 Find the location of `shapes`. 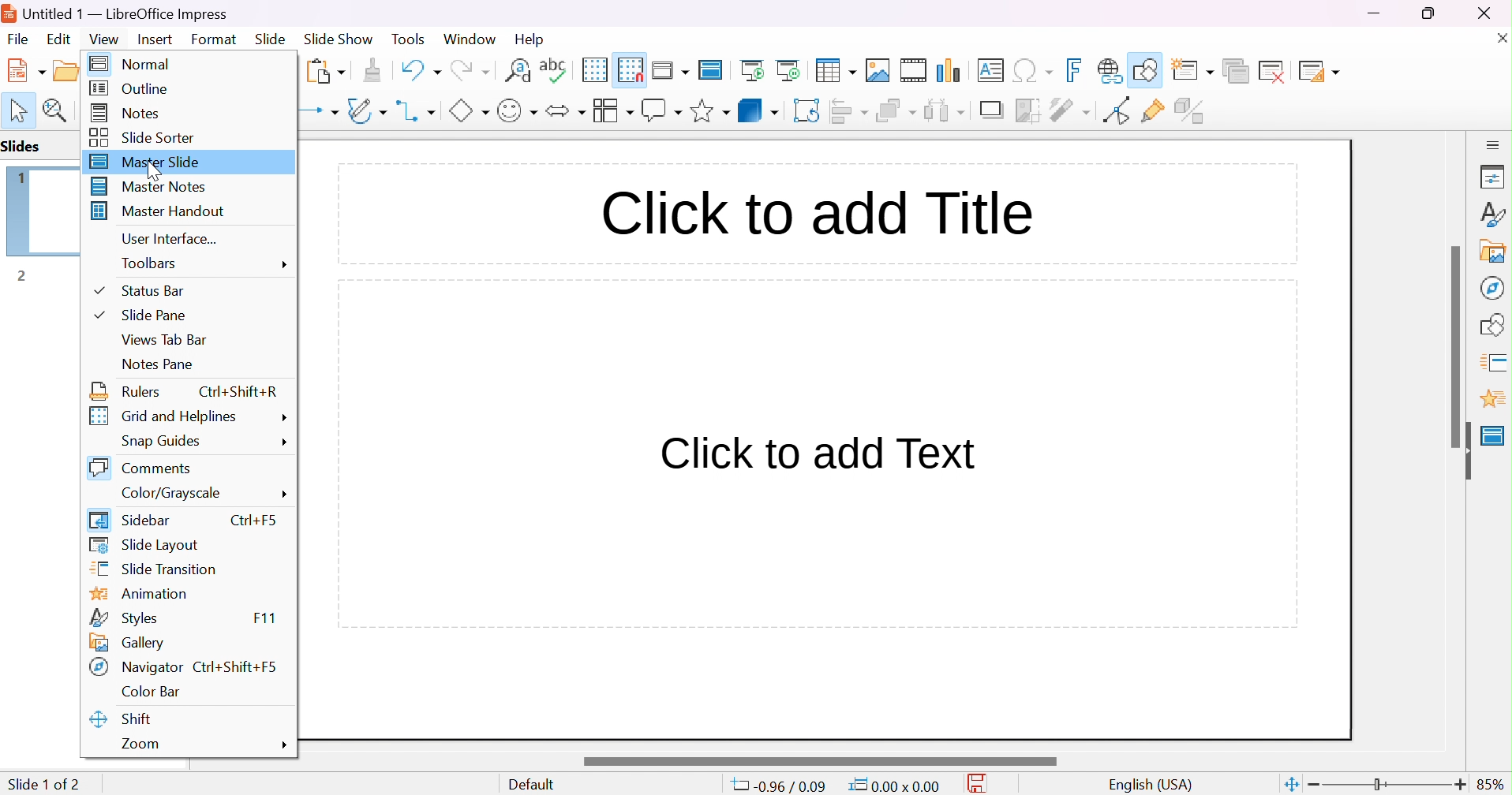

shapes is located at coordinates (1495, 323).